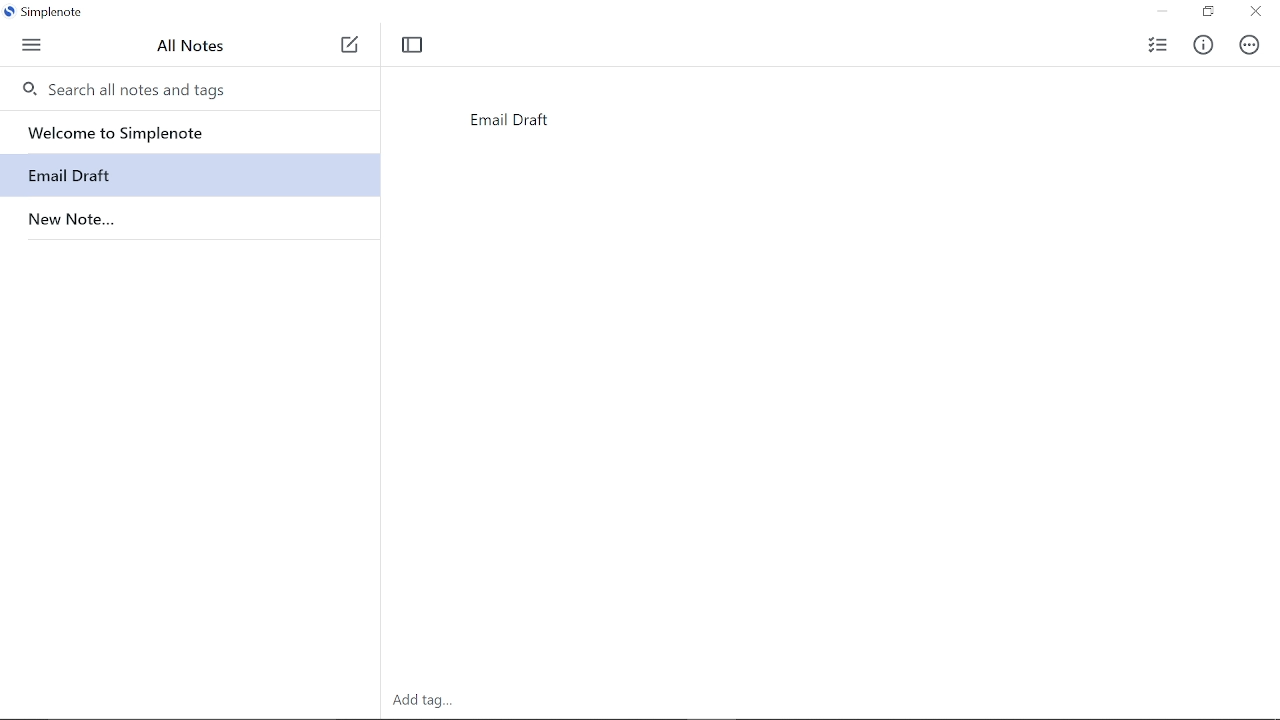  What do you see at coordinates (1255, 13) in the screenshot?
I see `close` at bounding box center [1255, 13].